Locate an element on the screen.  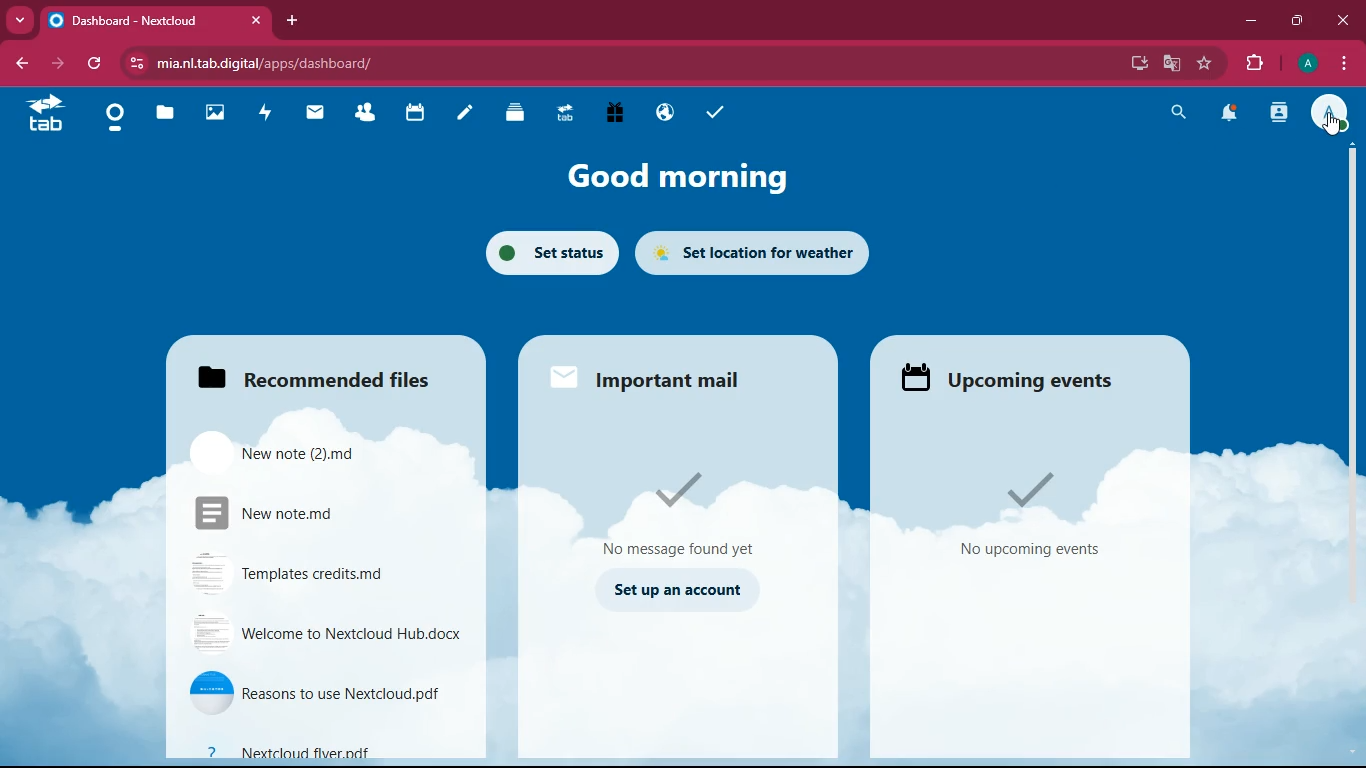
close tab is located at coordinates (259, 21).